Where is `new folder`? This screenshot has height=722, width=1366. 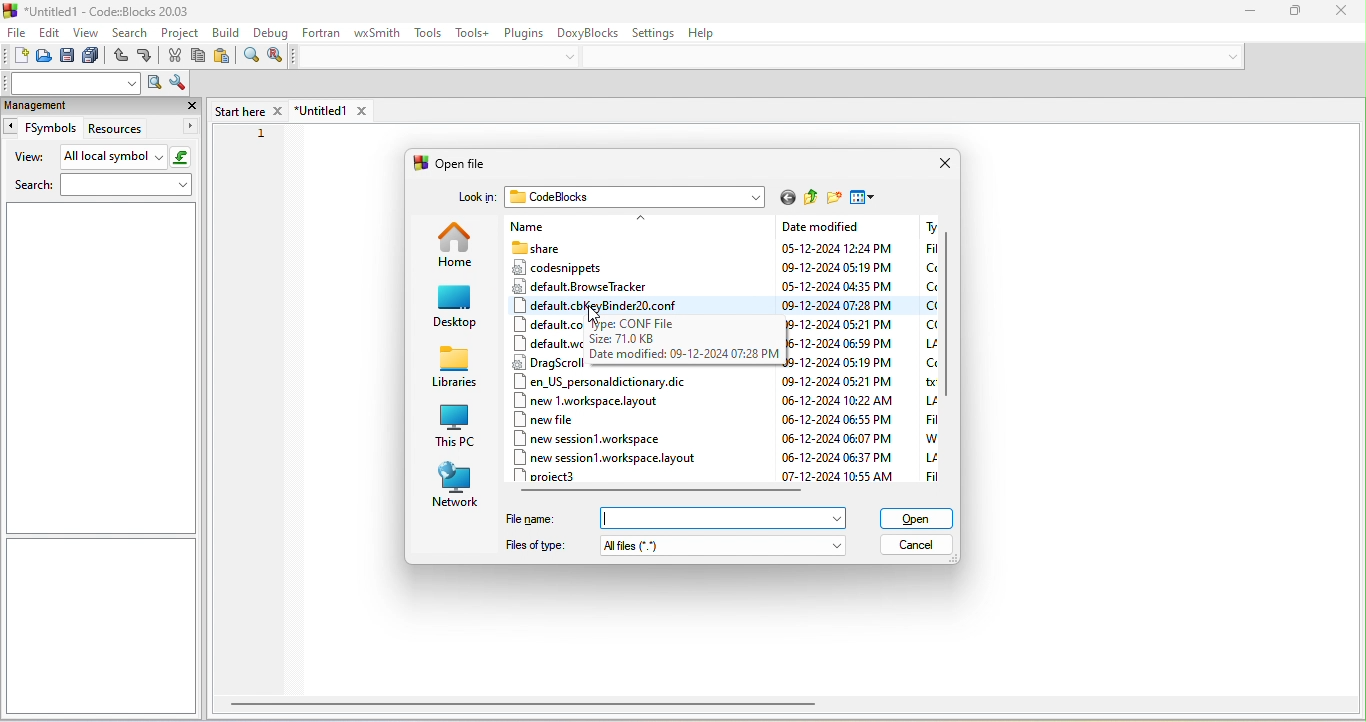
new folder is located at coordinates (833, 196).